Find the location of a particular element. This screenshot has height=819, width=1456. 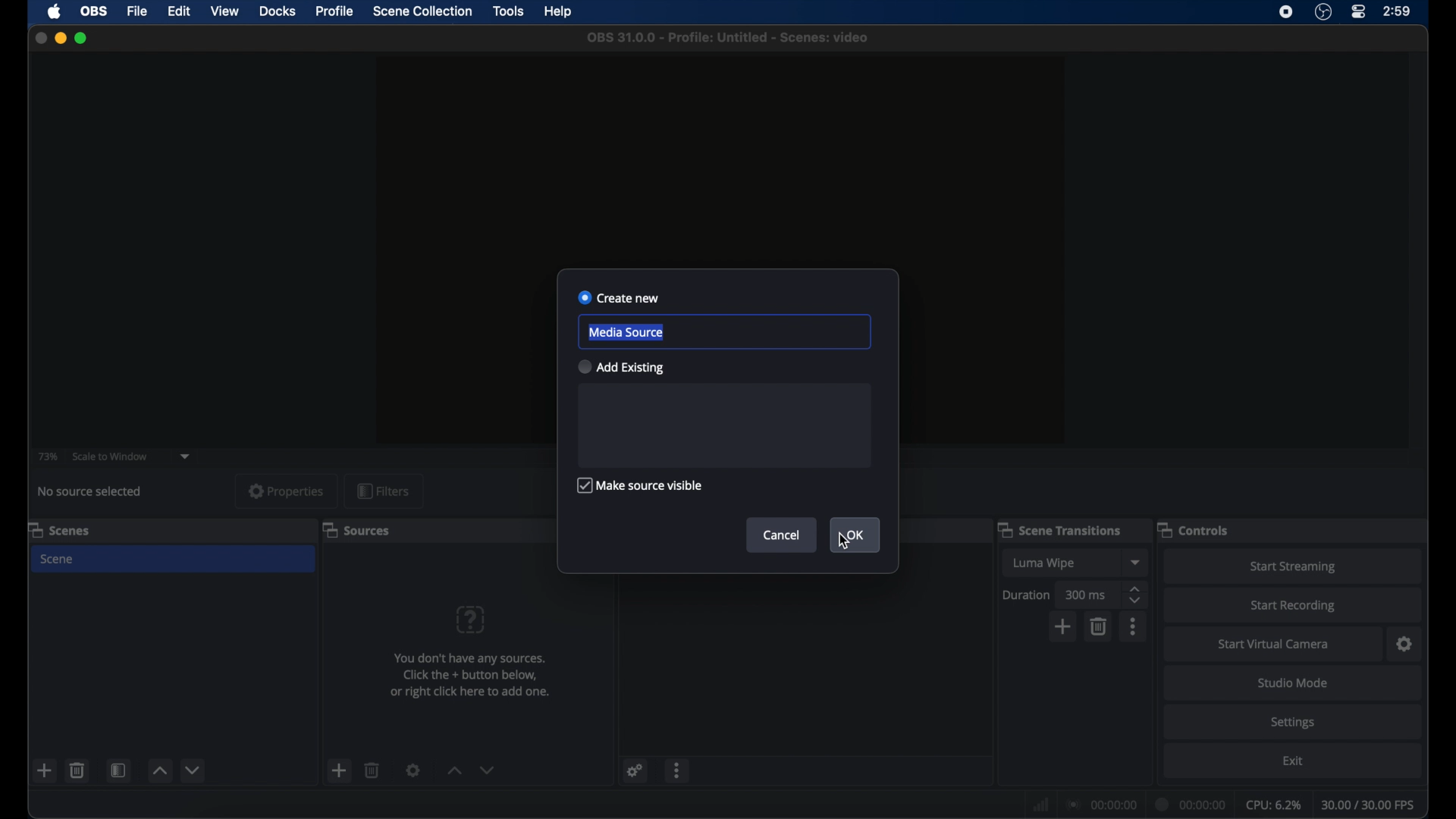

scene filters is located at coordinates (118, 770).